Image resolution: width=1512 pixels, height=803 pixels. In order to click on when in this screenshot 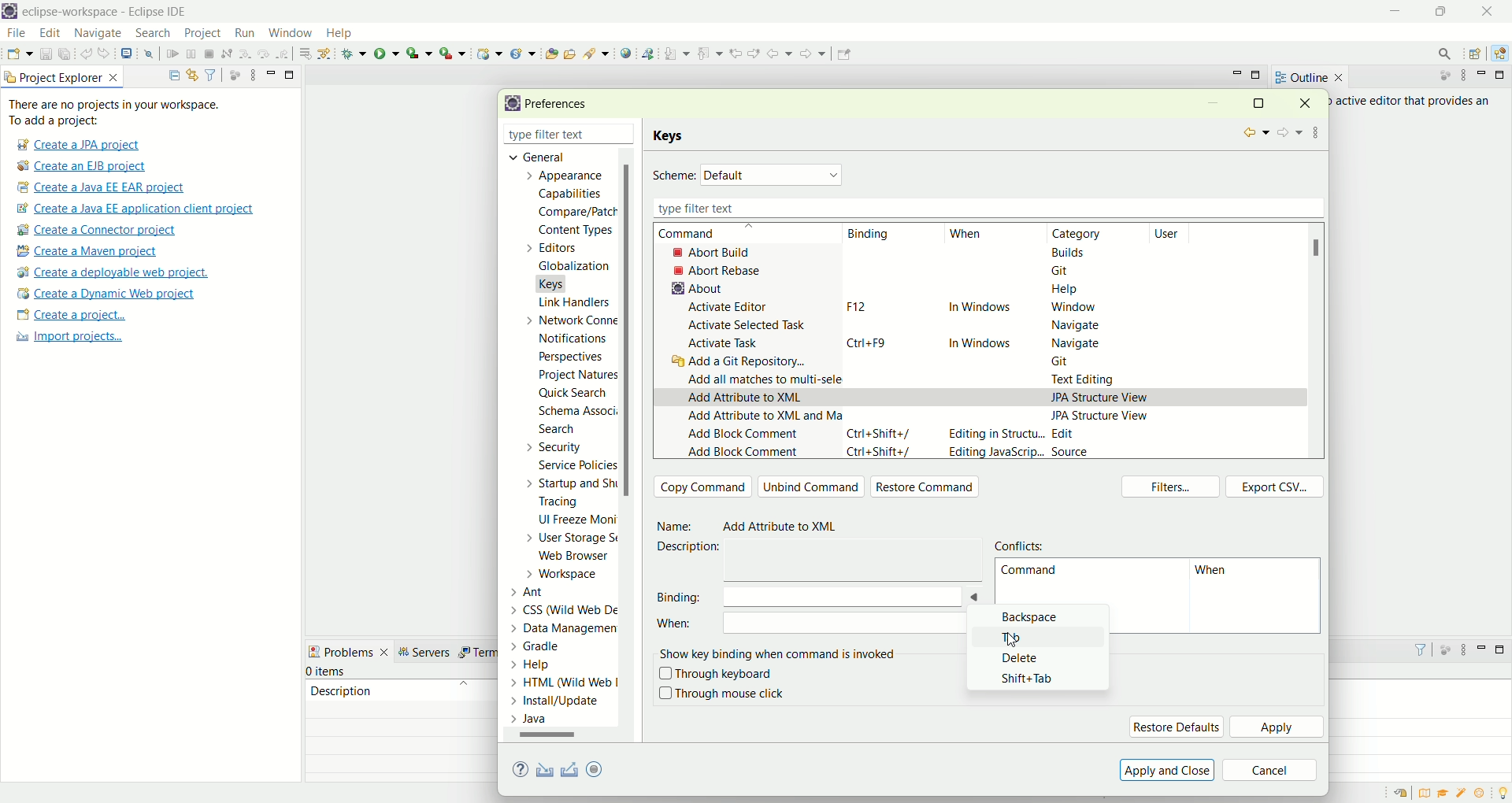, I will do `click(966, 235)`.